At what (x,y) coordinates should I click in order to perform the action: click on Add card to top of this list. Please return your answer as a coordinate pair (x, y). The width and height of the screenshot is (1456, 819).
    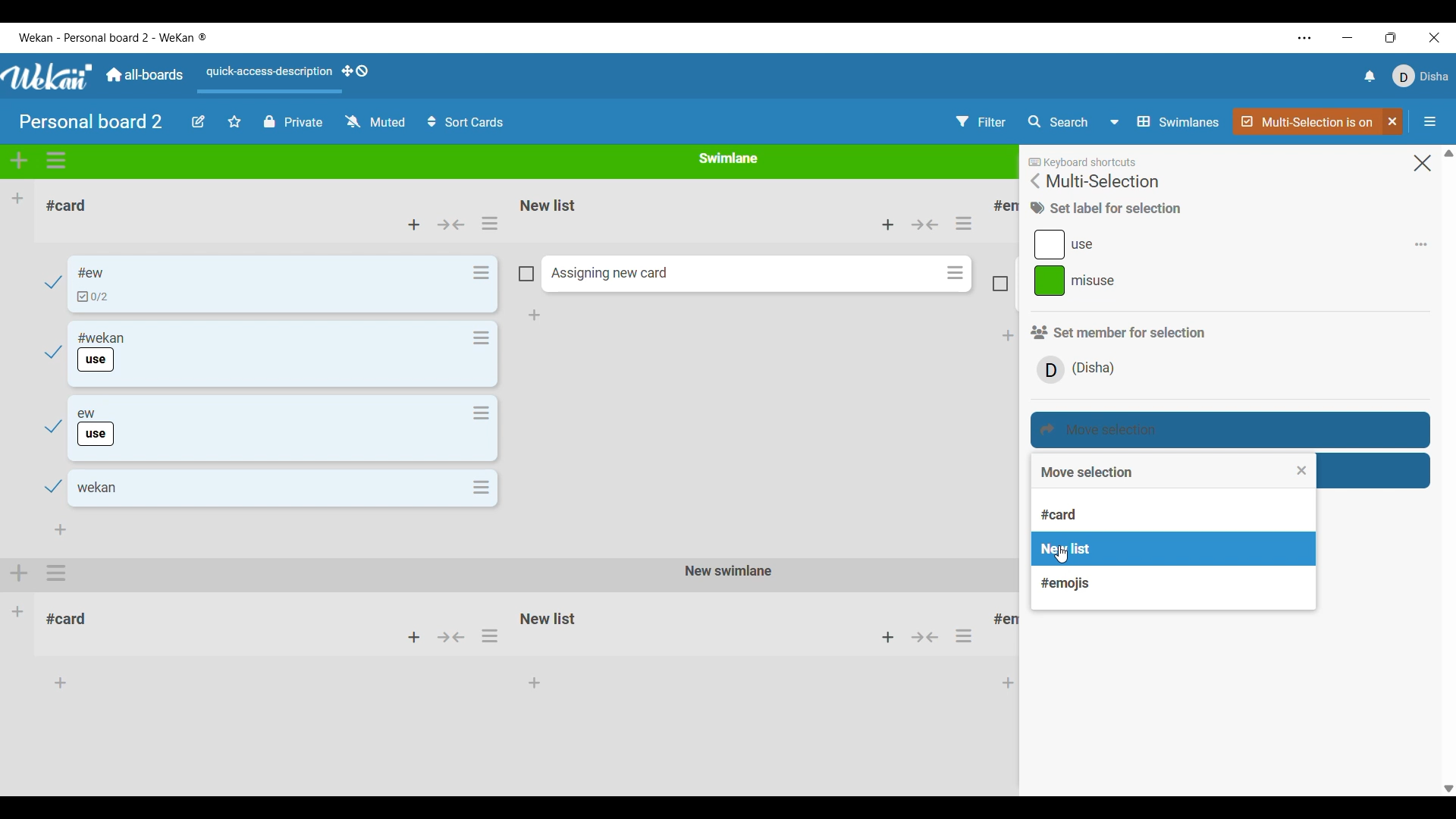
    Looking at the image, I should click on (888, 224).